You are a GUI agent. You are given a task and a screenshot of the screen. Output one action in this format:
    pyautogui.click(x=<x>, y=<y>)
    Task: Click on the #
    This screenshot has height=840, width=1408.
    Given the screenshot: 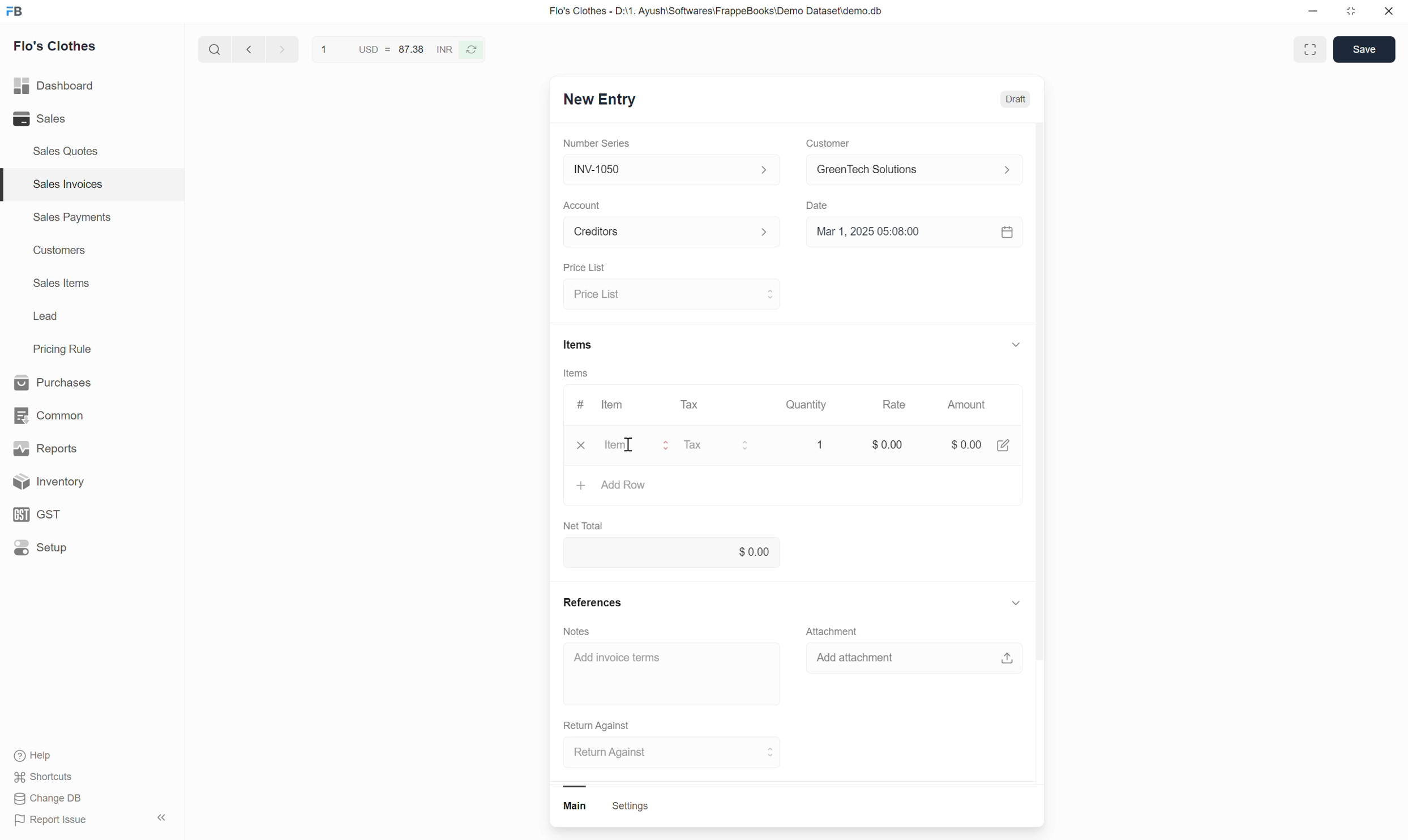 What is the action you would take?
    pyautogui.click(x=577, y=405)
    